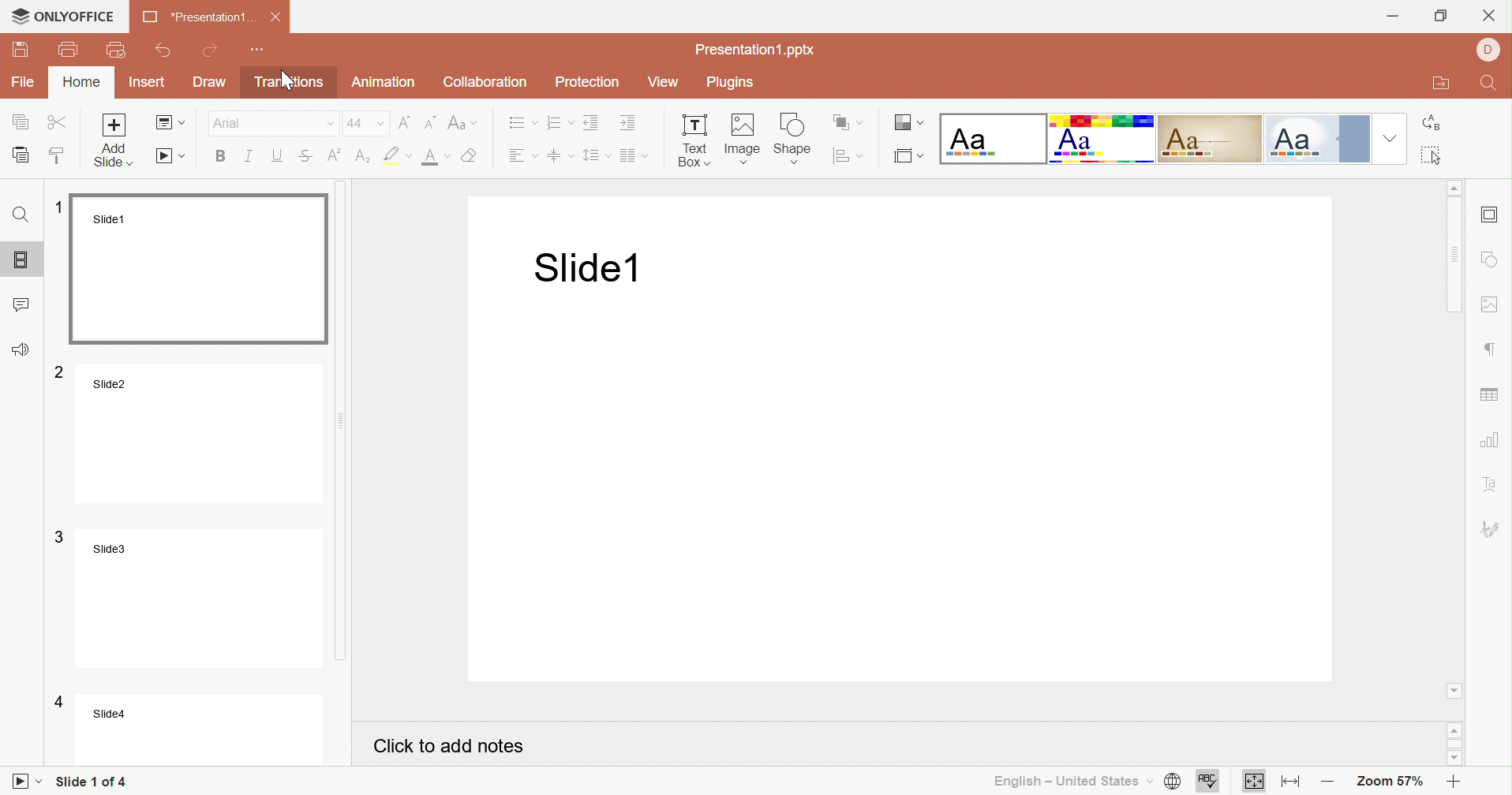 This screenshot has height=795, width=1512. Describe the element at coordinates (19, 51) in the screenshot. I see `Save` at that location.